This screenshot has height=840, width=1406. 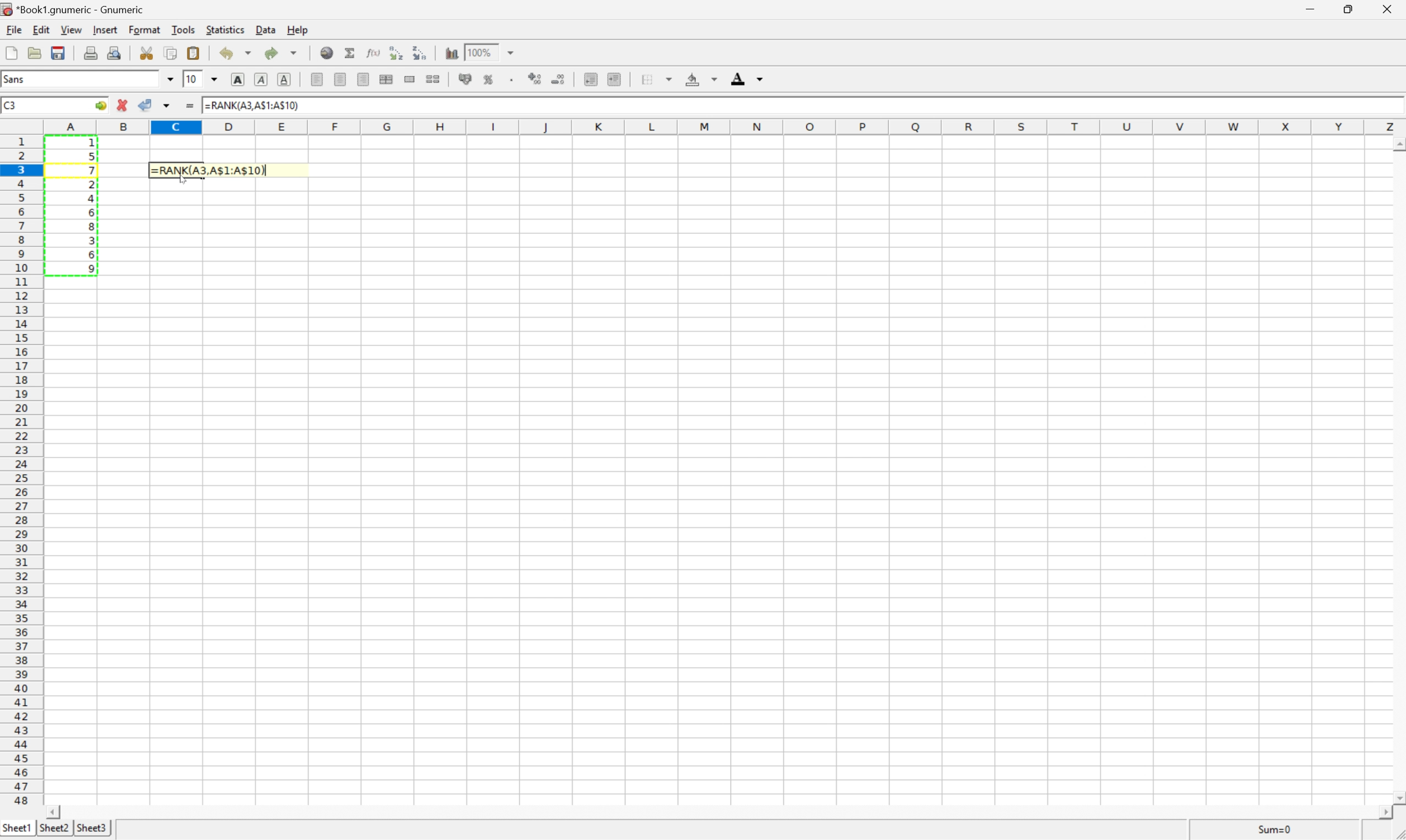 What do you see at coordinates (35, 54) in the screenshot?
I see `open file` at bounding box center [35, 54].